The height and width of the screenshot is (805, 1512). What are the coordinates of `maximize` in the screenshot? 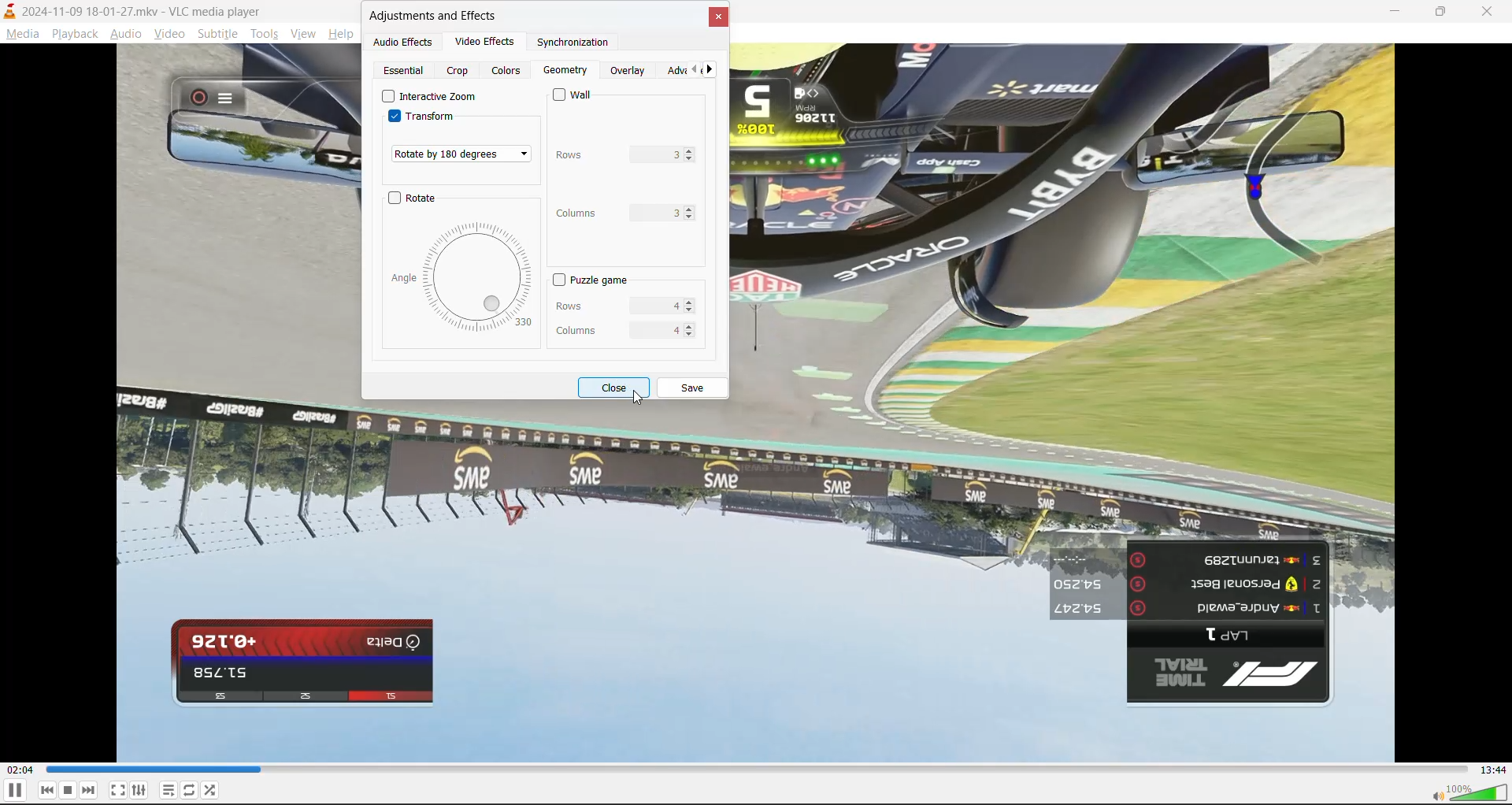 It's located at (1449, 13).